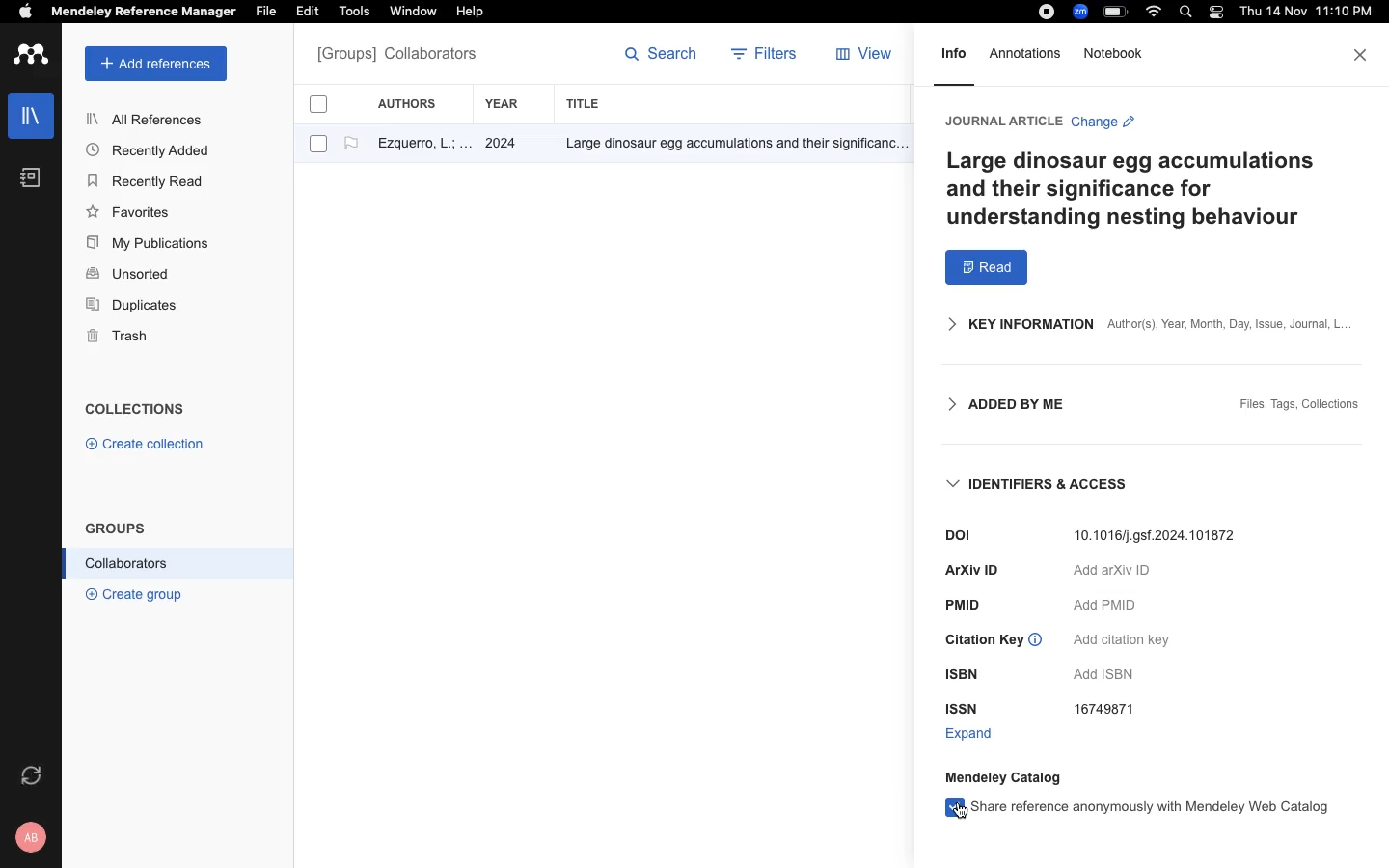  Describe the element at coordinates (964, 676) in the screenshot. I see `` at that location.